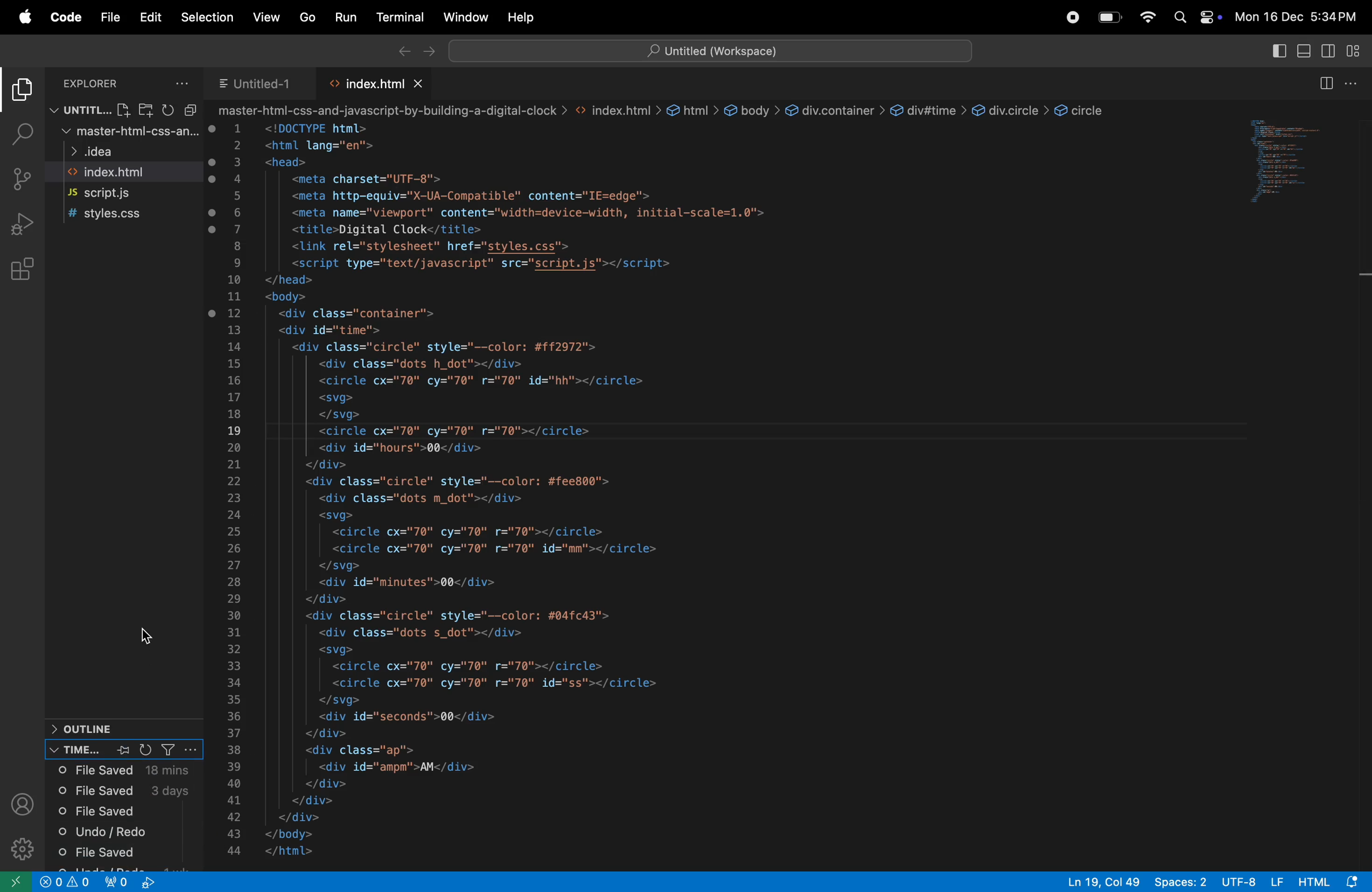  Describe the element at coordinates (259, 85) in the screenshot. I see `untitled` at that location.